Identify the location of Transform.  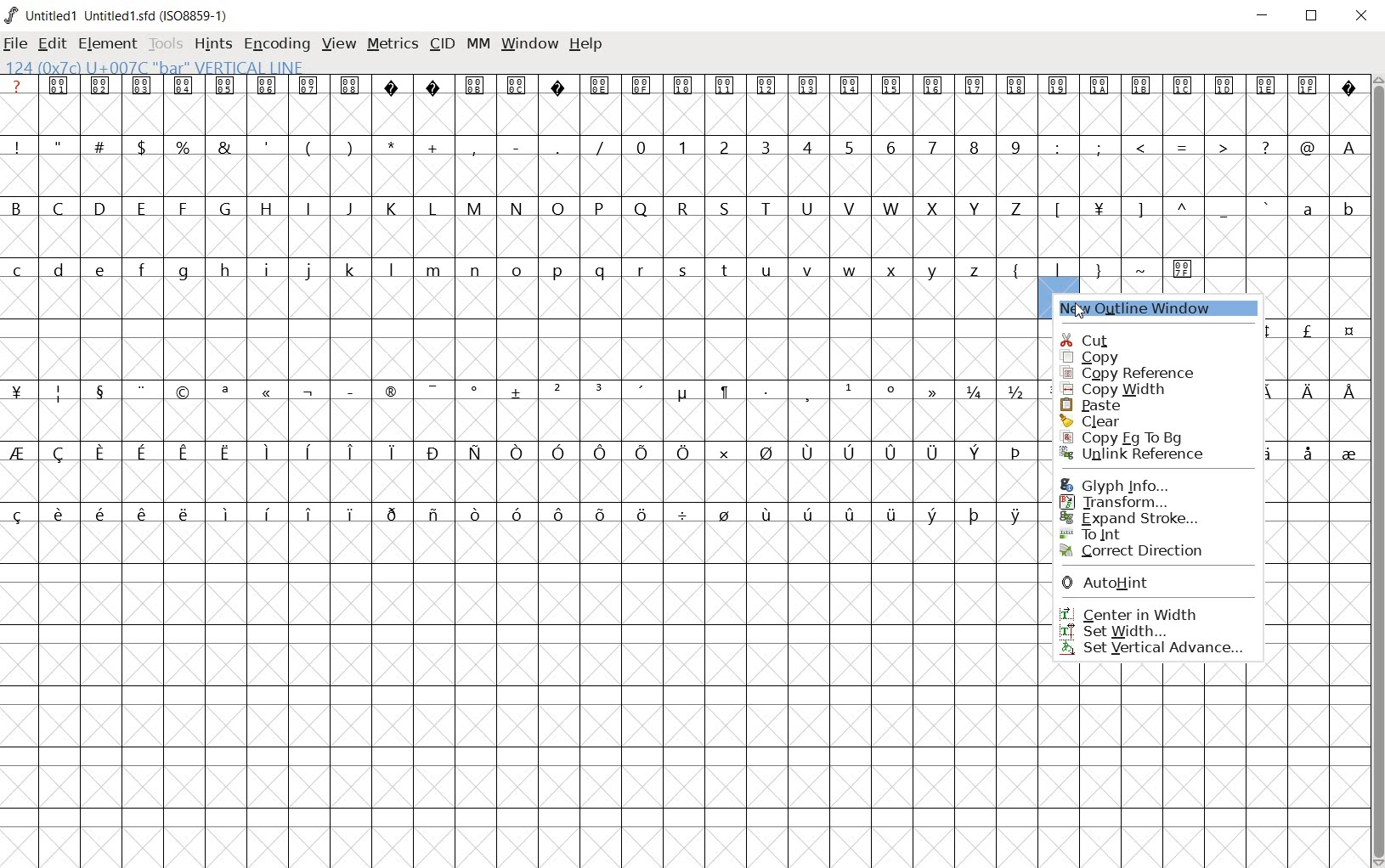
(1151, 501).